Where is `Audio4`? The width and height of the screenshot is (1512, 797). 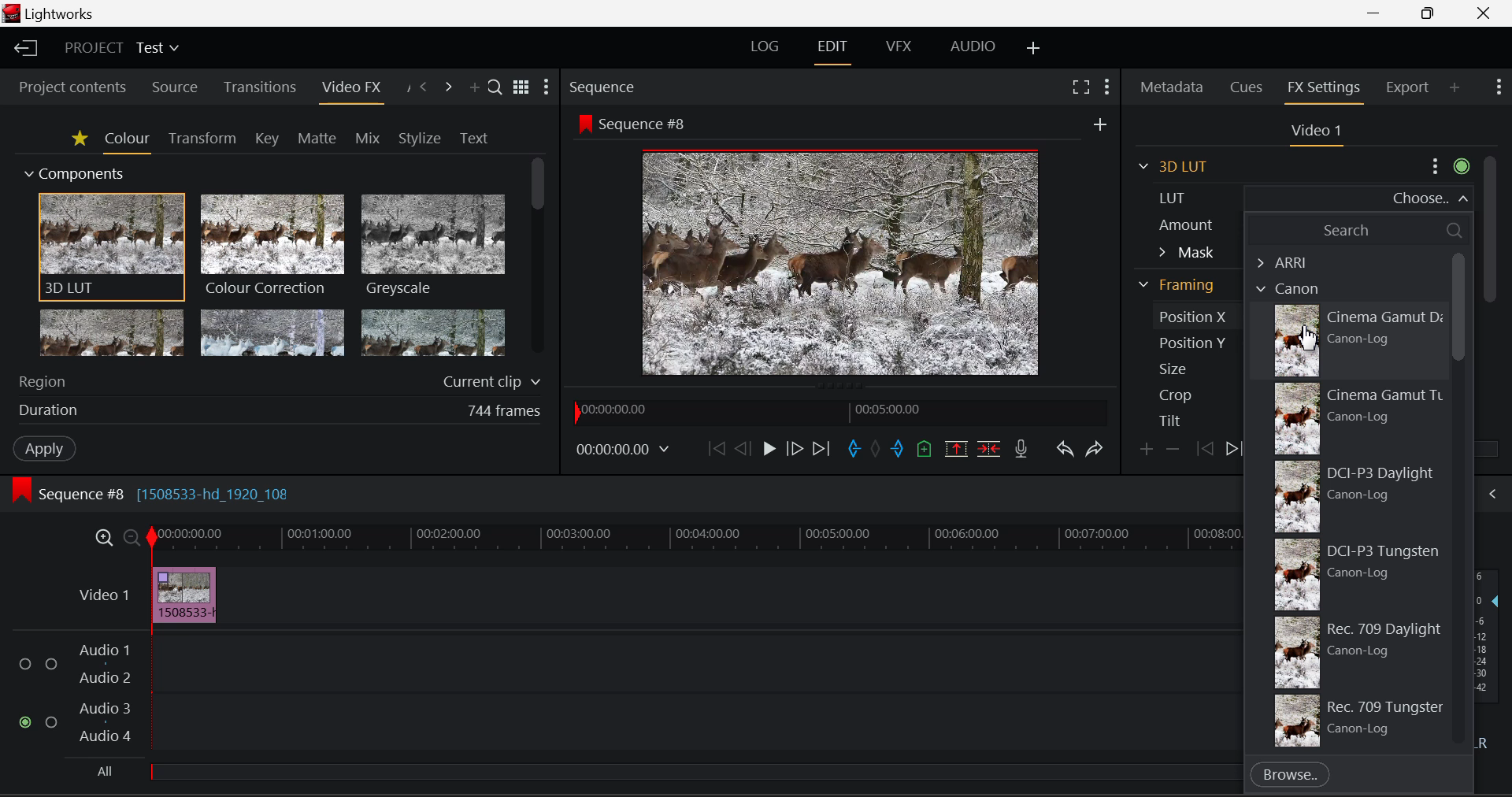 Audio4 is located at coordinates (106, 736).